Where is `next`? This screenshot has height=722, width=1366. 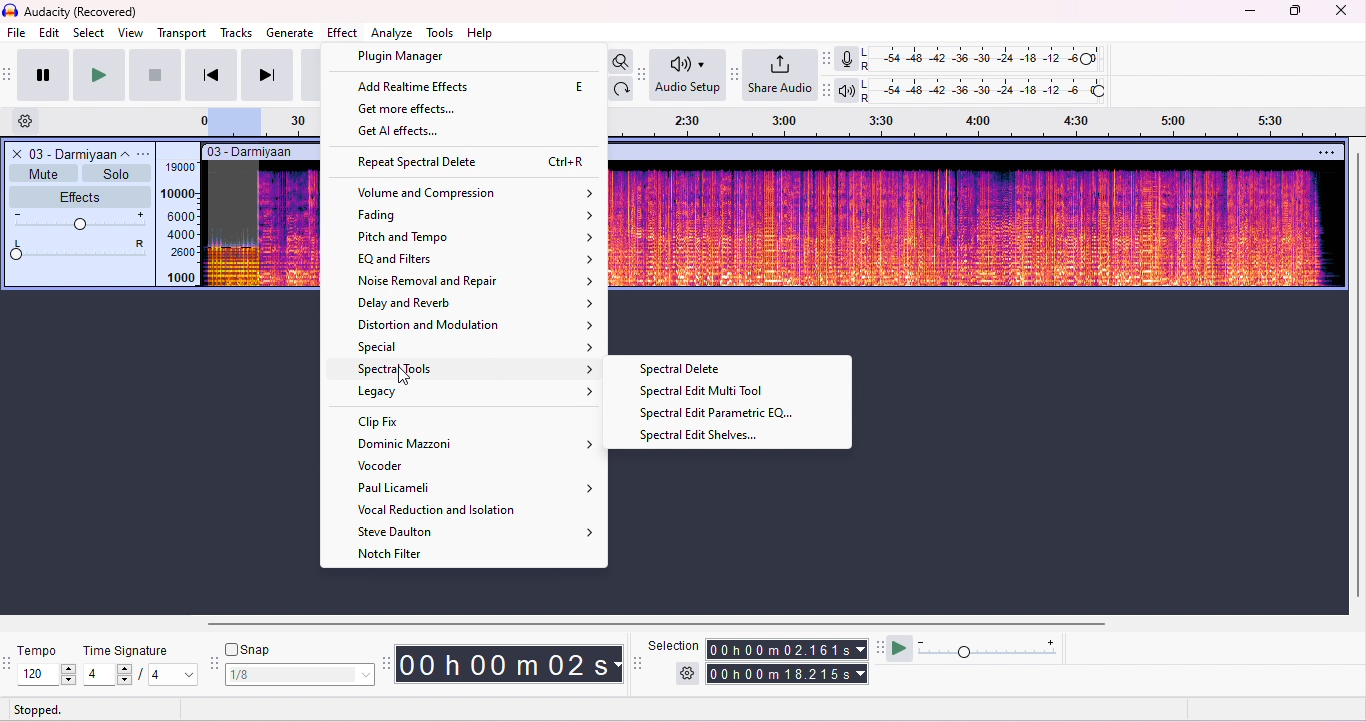 next is located at coordinates (267, 75).